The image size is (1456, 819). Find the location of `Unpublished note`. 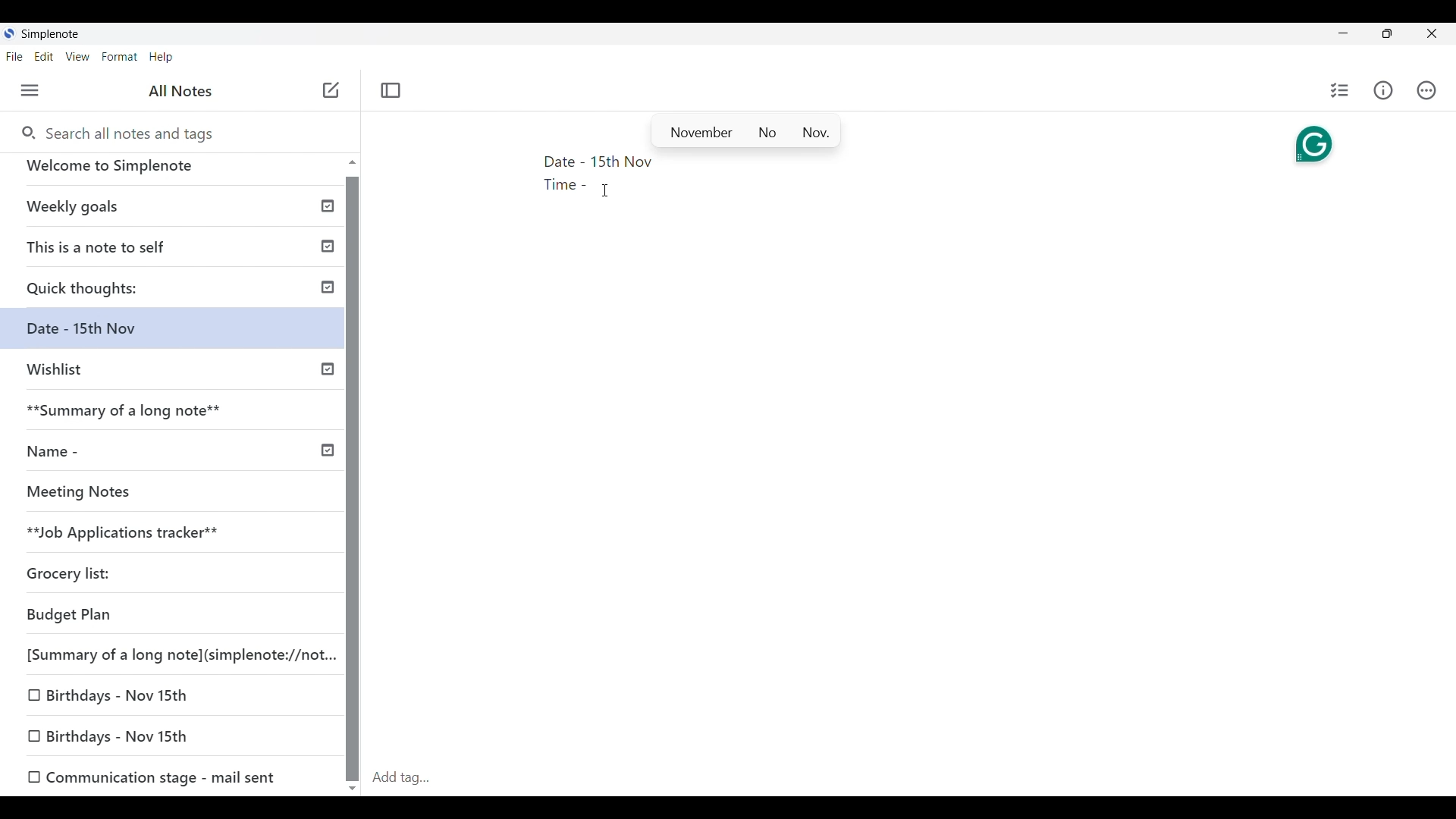

Unpublished note is located at coordinates (115, 737).